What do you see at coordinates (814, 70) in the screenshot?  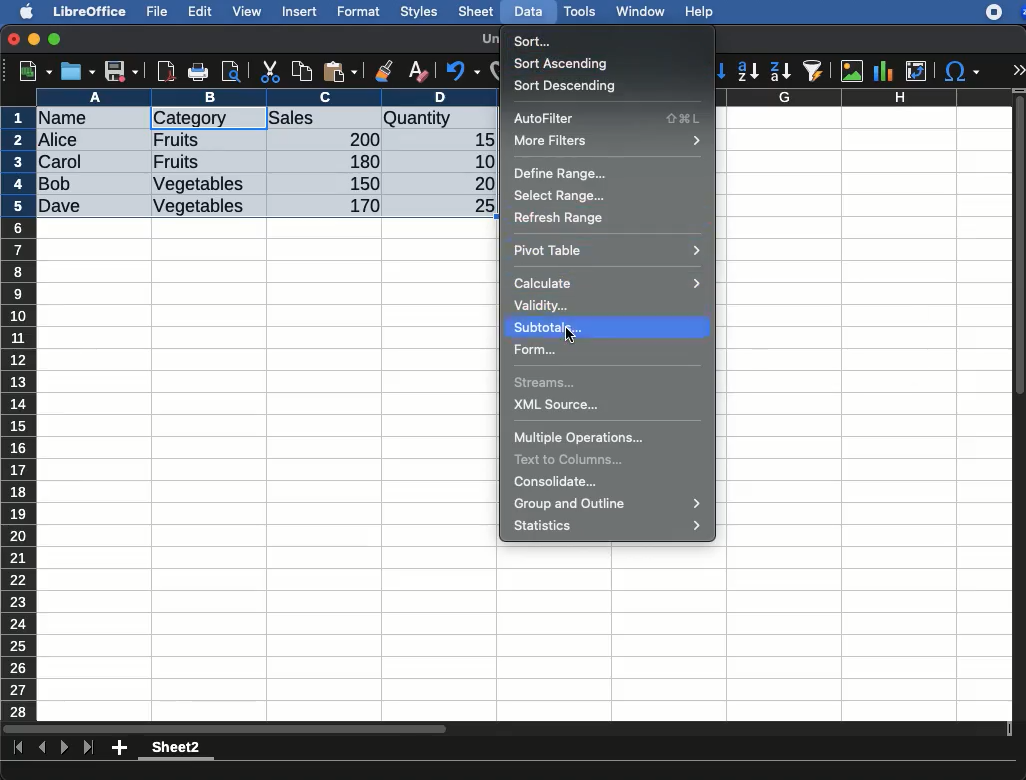 I see `autofilter` at bounding box center [814, 70].